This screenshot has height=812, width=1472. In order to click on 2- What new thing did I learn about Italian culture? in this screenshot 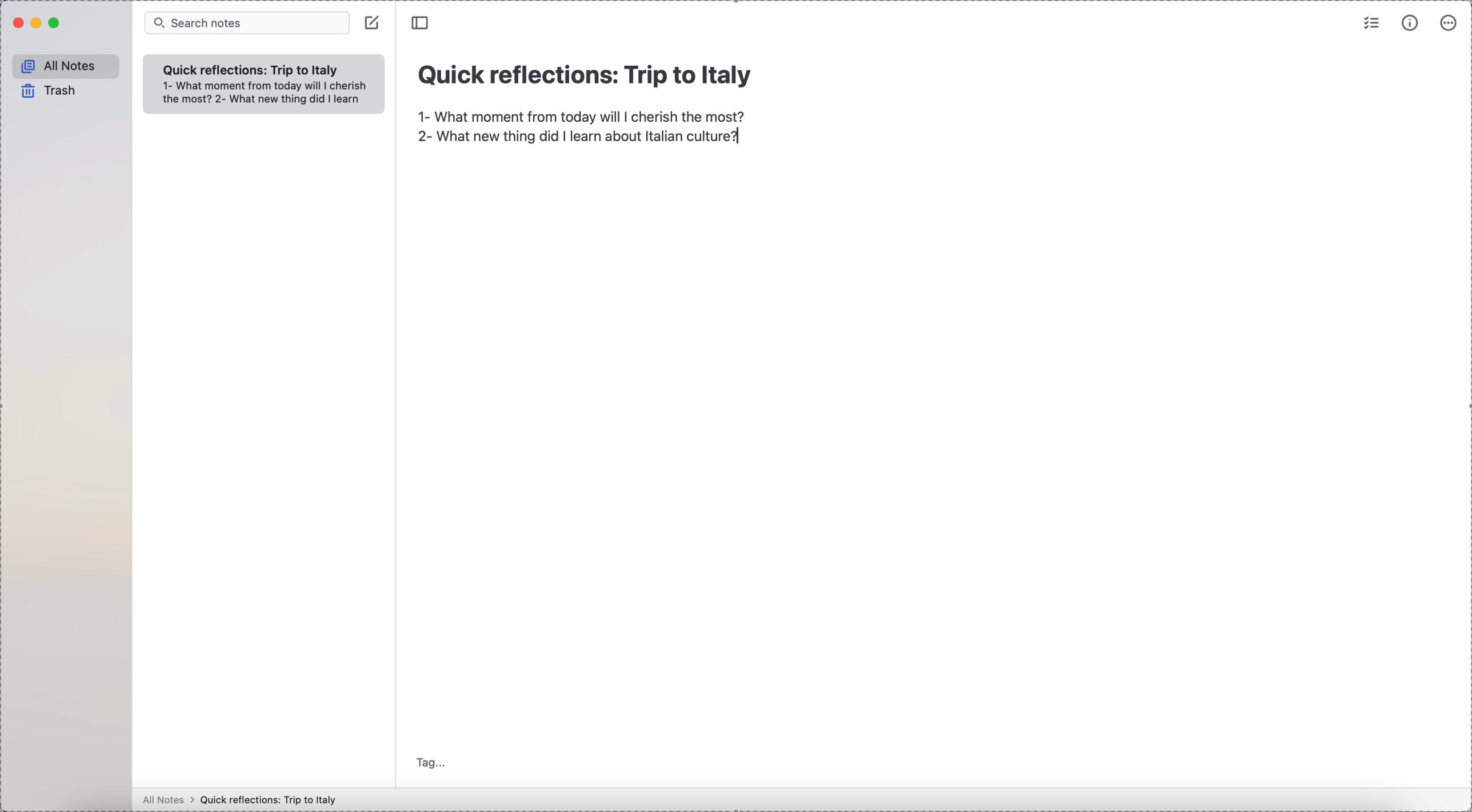, I will do `click(579, 138)`.